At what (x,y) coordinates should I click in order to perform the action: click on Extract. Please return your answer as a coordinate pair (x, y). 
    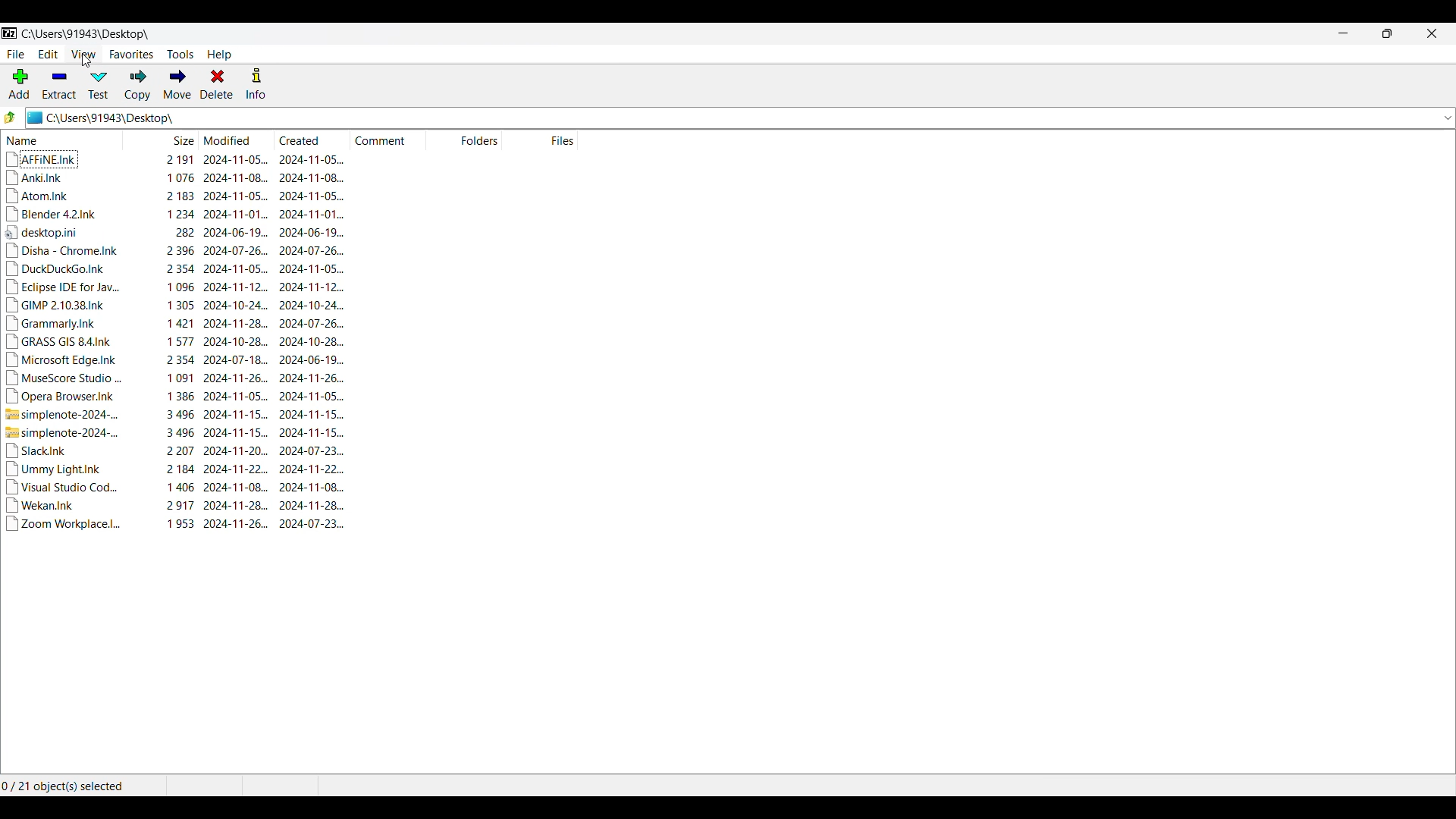
    Looking at the image, I should click on (60, 84).